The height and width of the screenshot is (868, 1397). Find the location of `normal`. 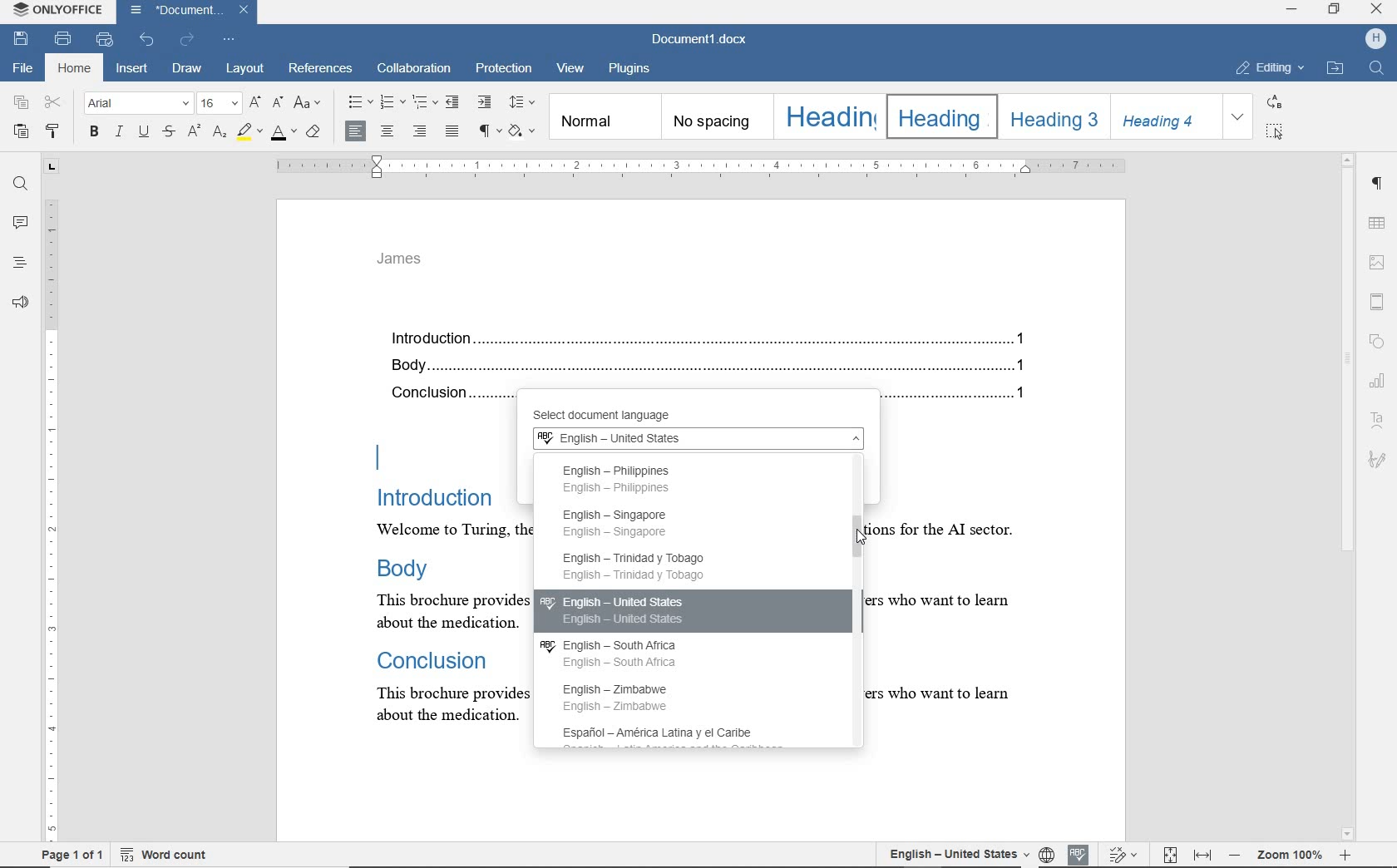

normal is located at coordinates (604, 116).